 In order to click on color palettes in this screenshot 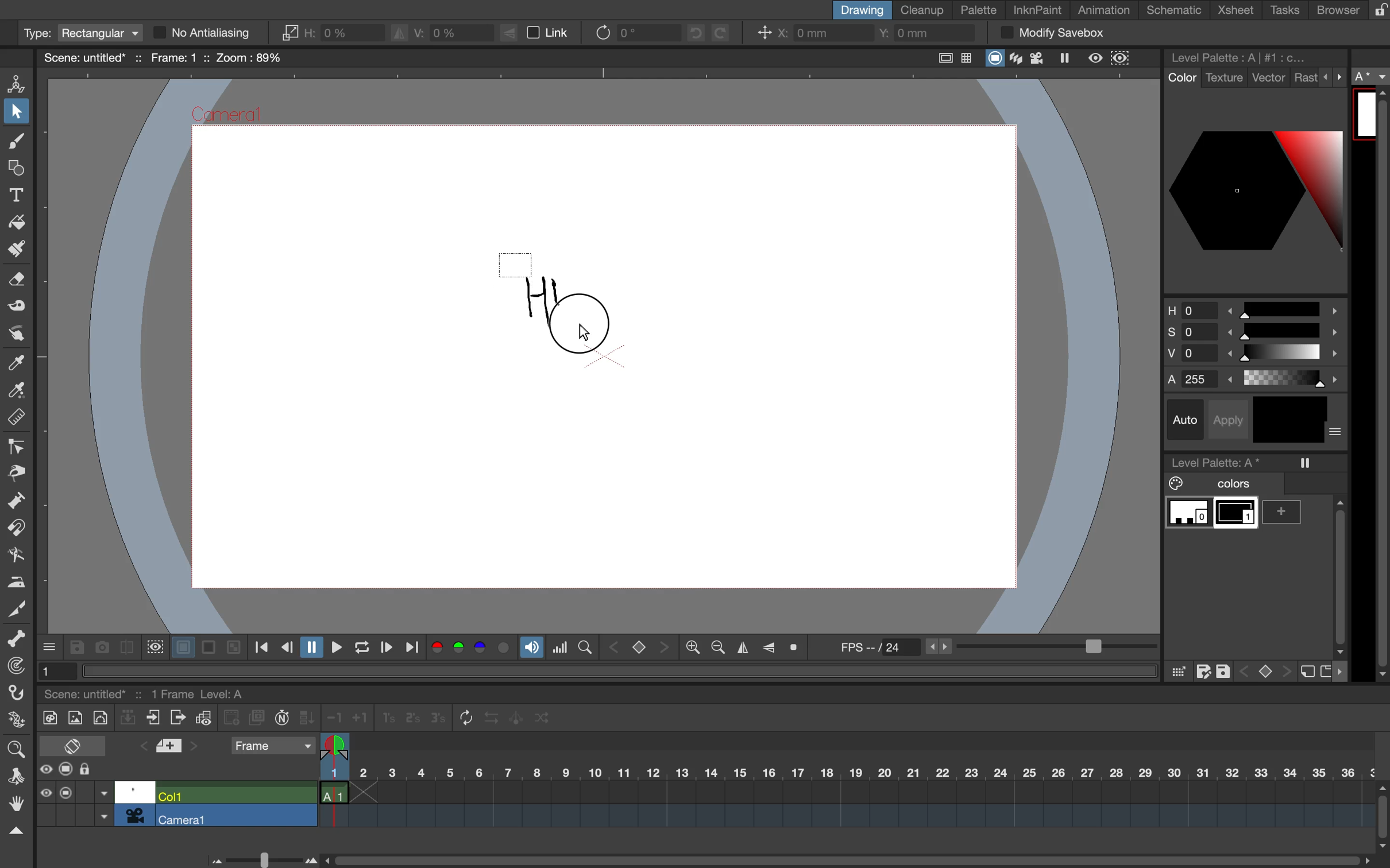, I will do `click(1255, 189)`.